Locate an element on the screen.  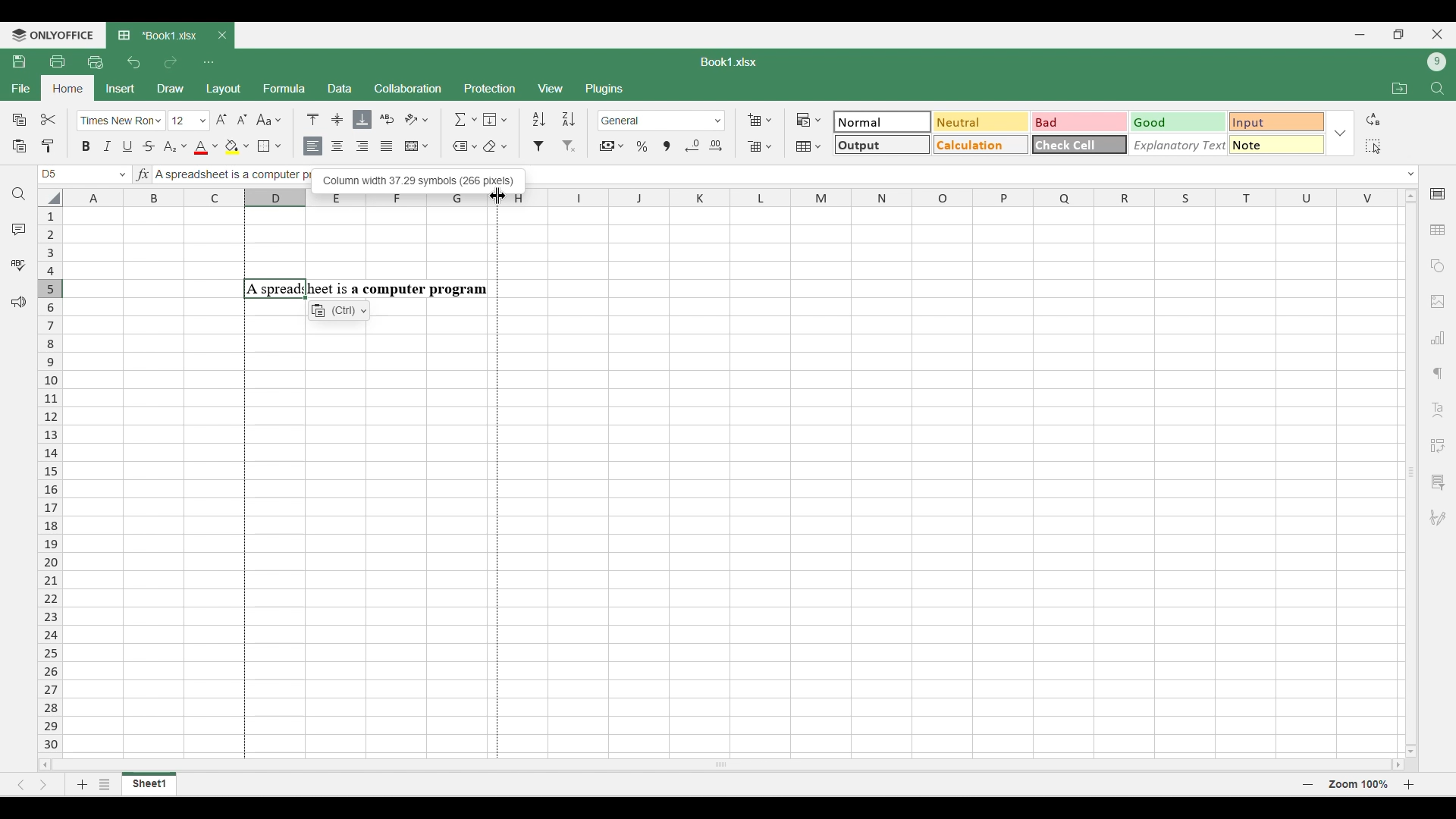
Underline is located at coordinates (127, 146).